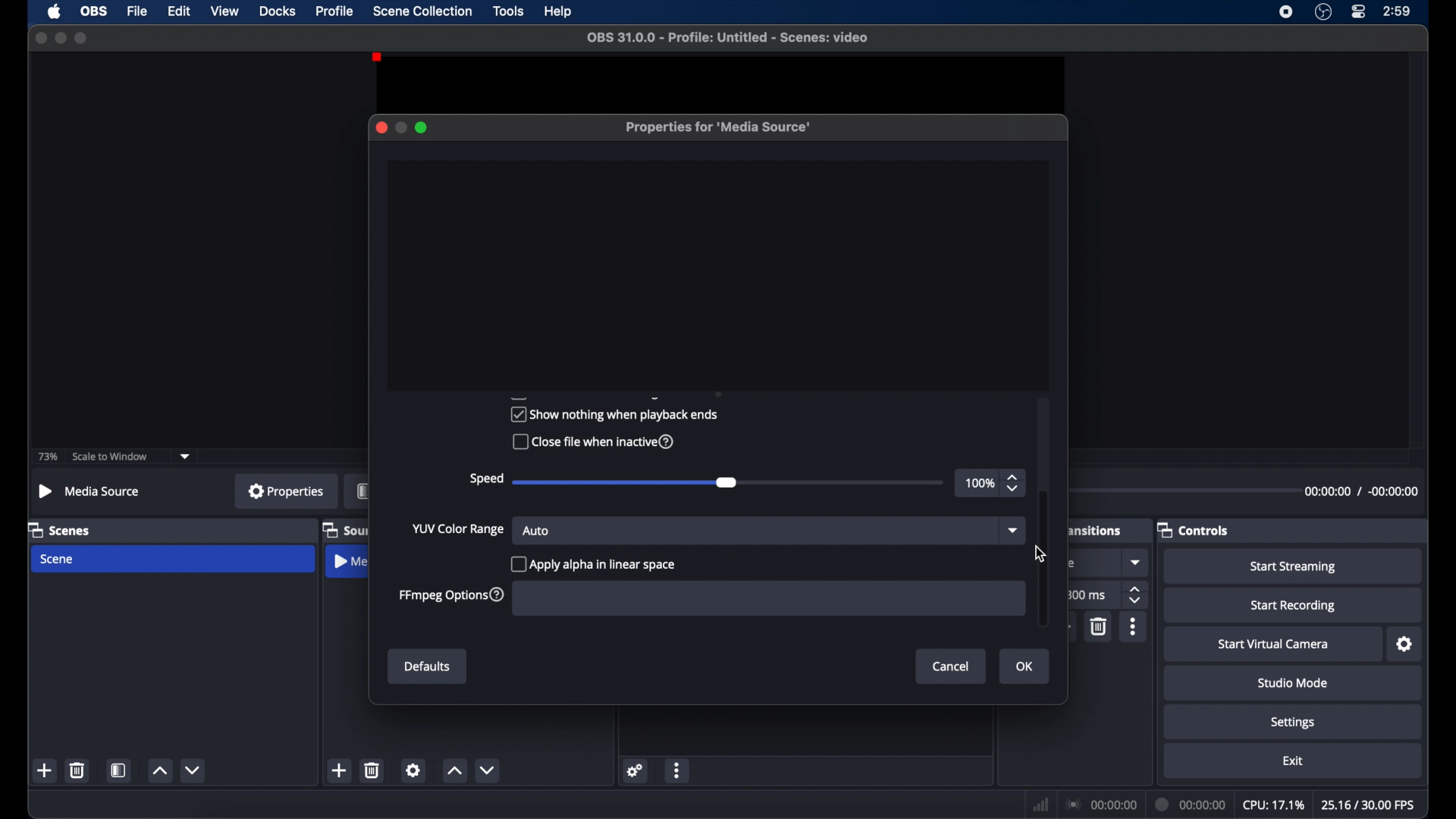 Image resolution: width=1456 pixels, height=819 pixels. I want to click on add, so click(44, 770).